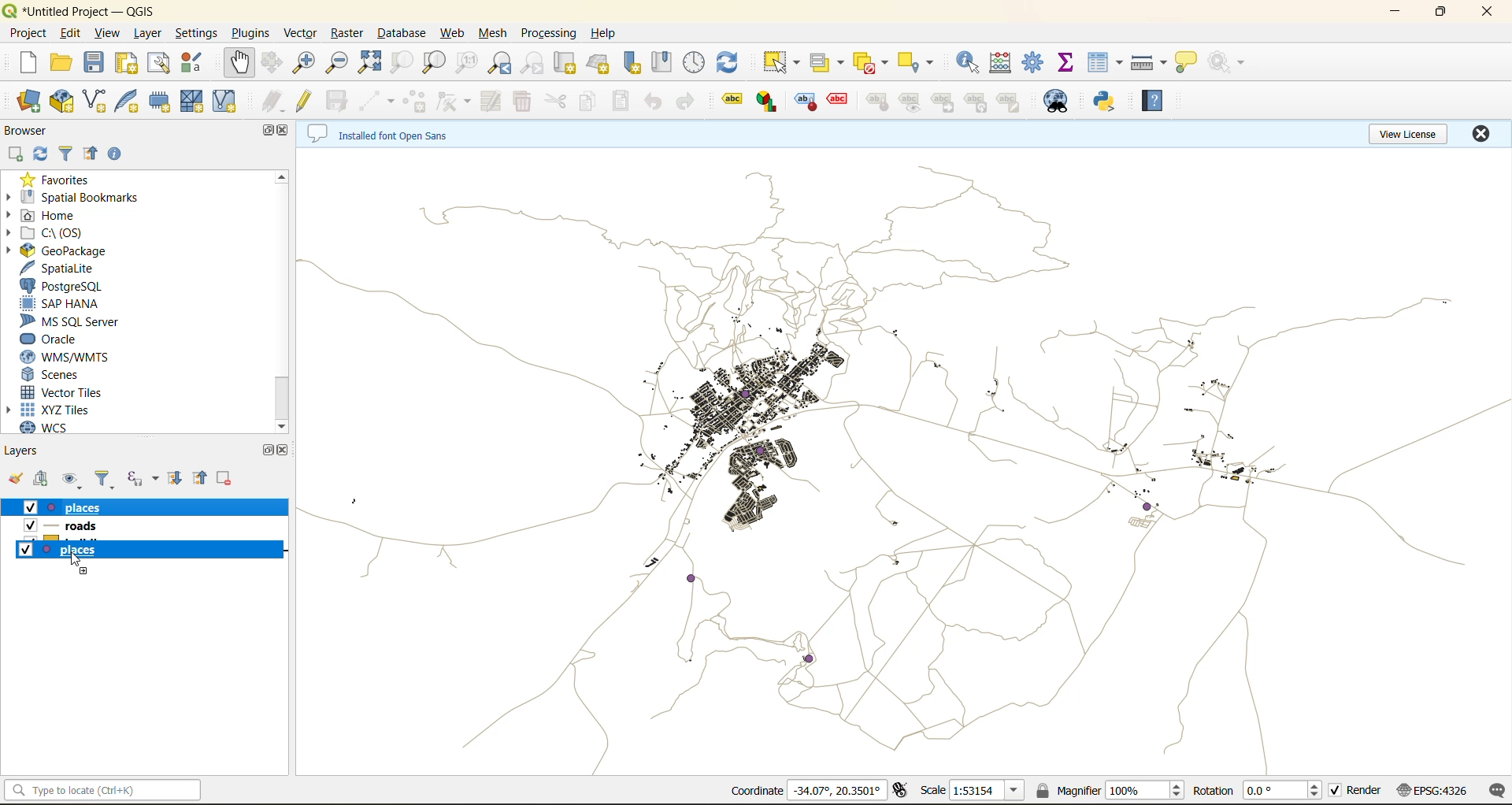 This screenshot has height=805, width=1512. Describe the element at coordinates (780, 62) in the screenshot. I see `select ` at that location.